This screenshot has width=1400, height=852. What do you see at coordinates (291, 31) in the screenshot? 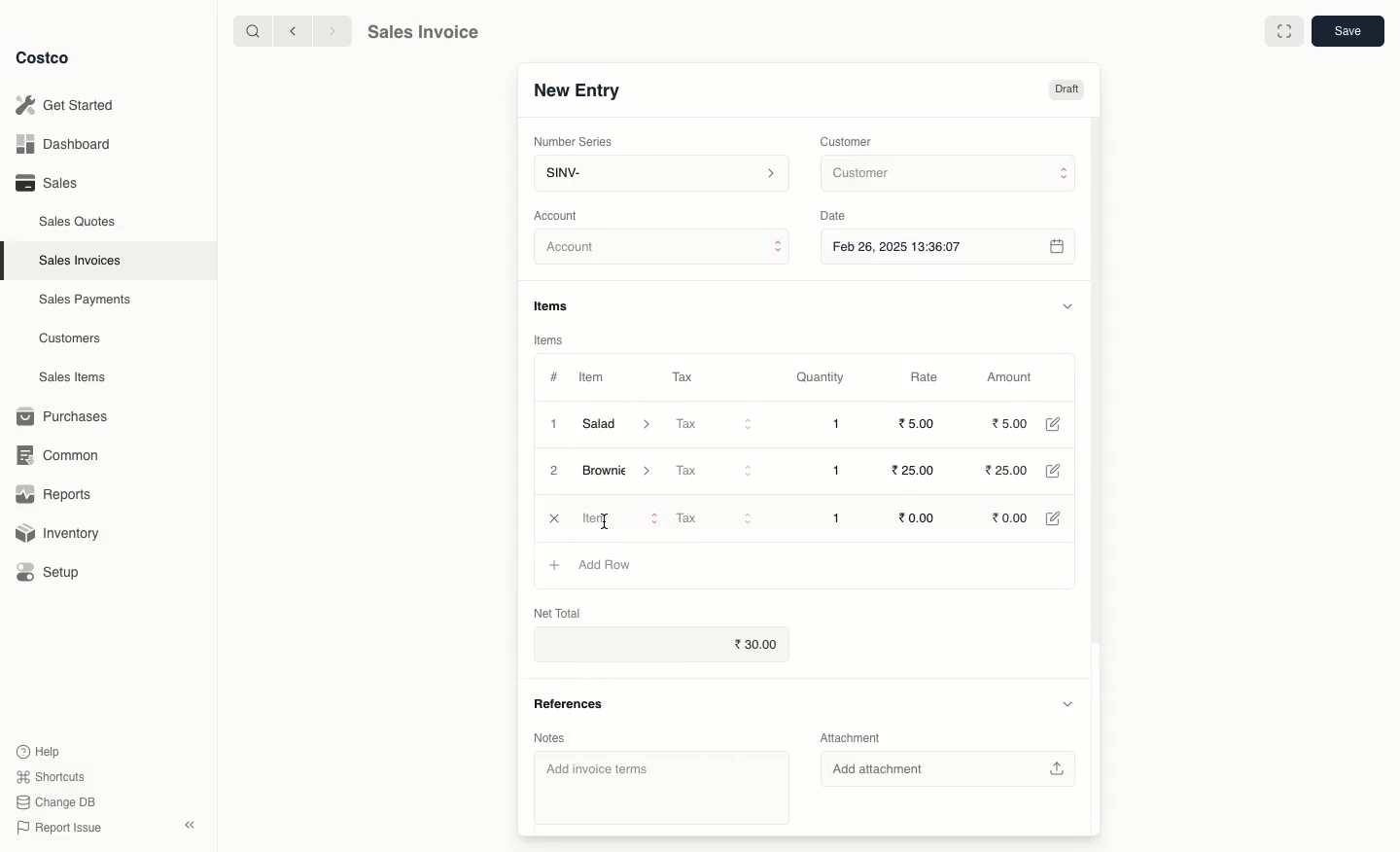
I see `Back` at bounding box center [291, 31].